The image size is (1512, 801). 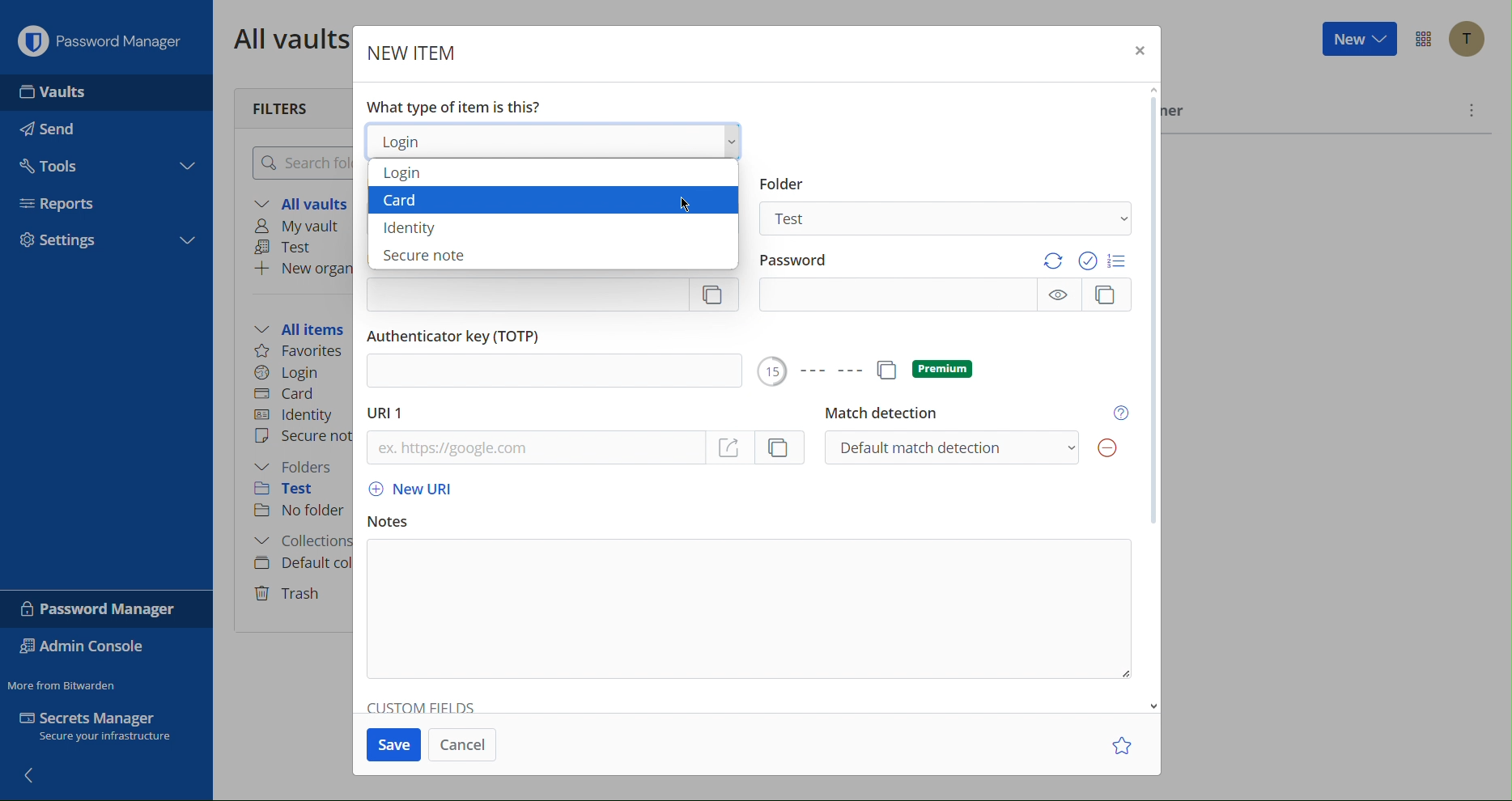 I want to click on No folder, so click(x=307, y=511).